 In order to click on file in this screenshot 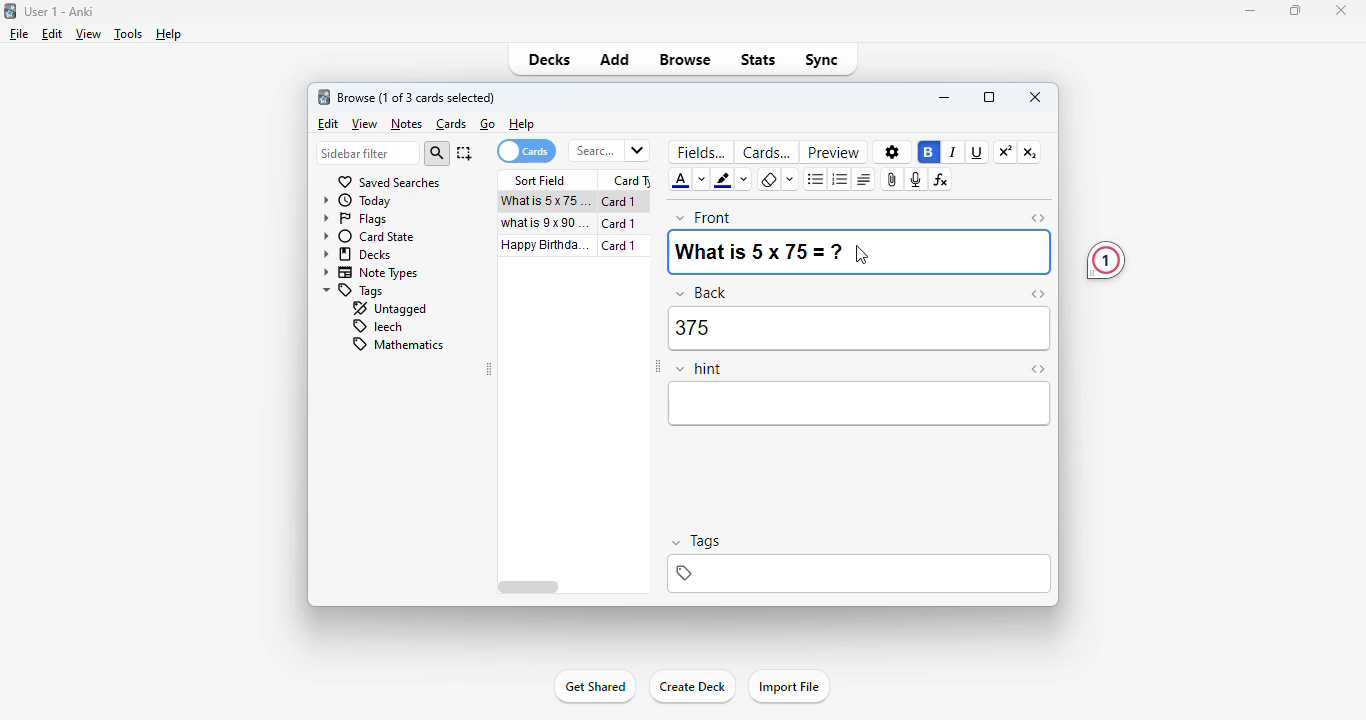, I will do `click(20, 34)`.